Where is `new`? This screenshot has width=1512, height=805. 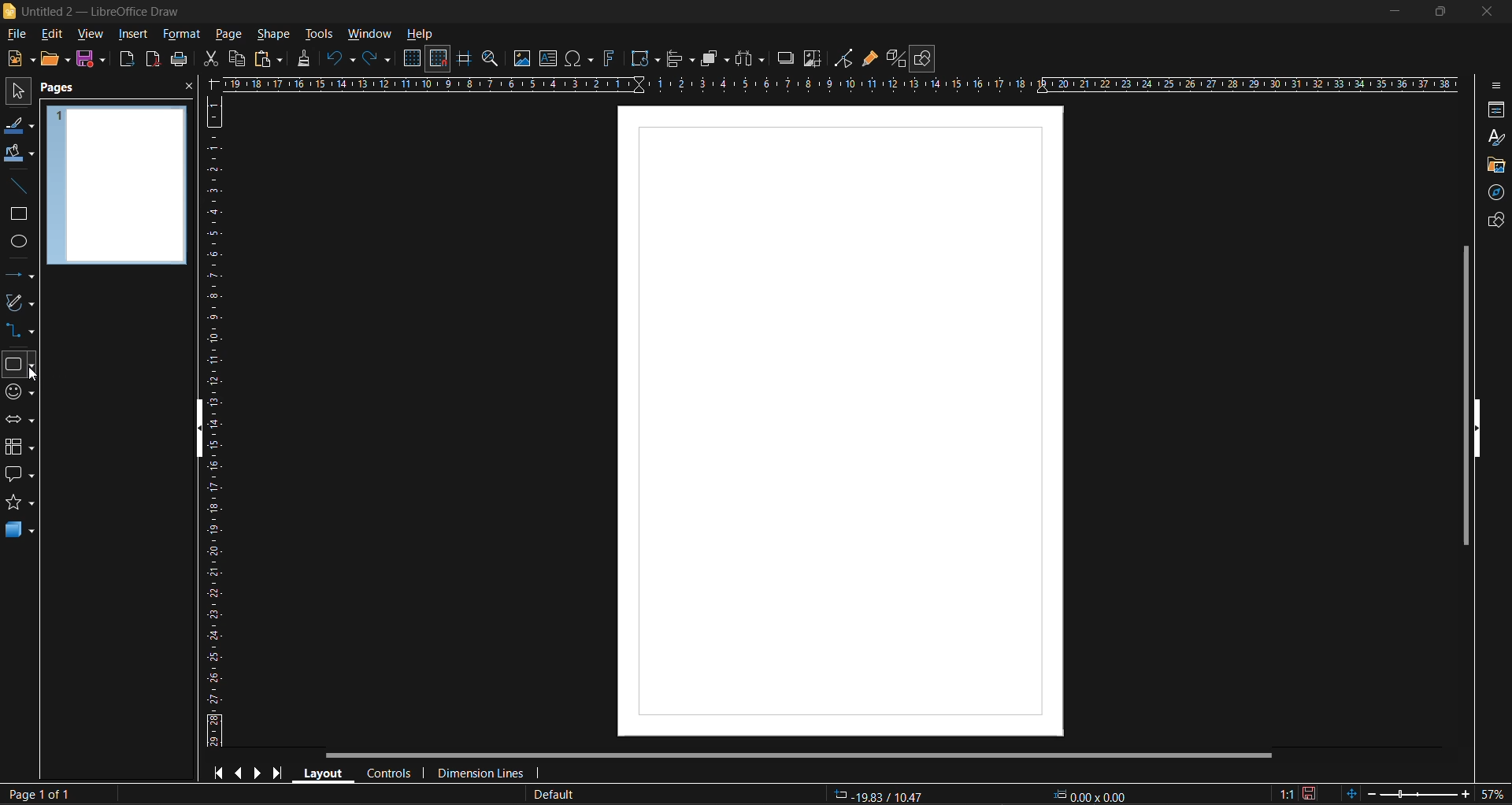
new is located at coordinates (20, 58).